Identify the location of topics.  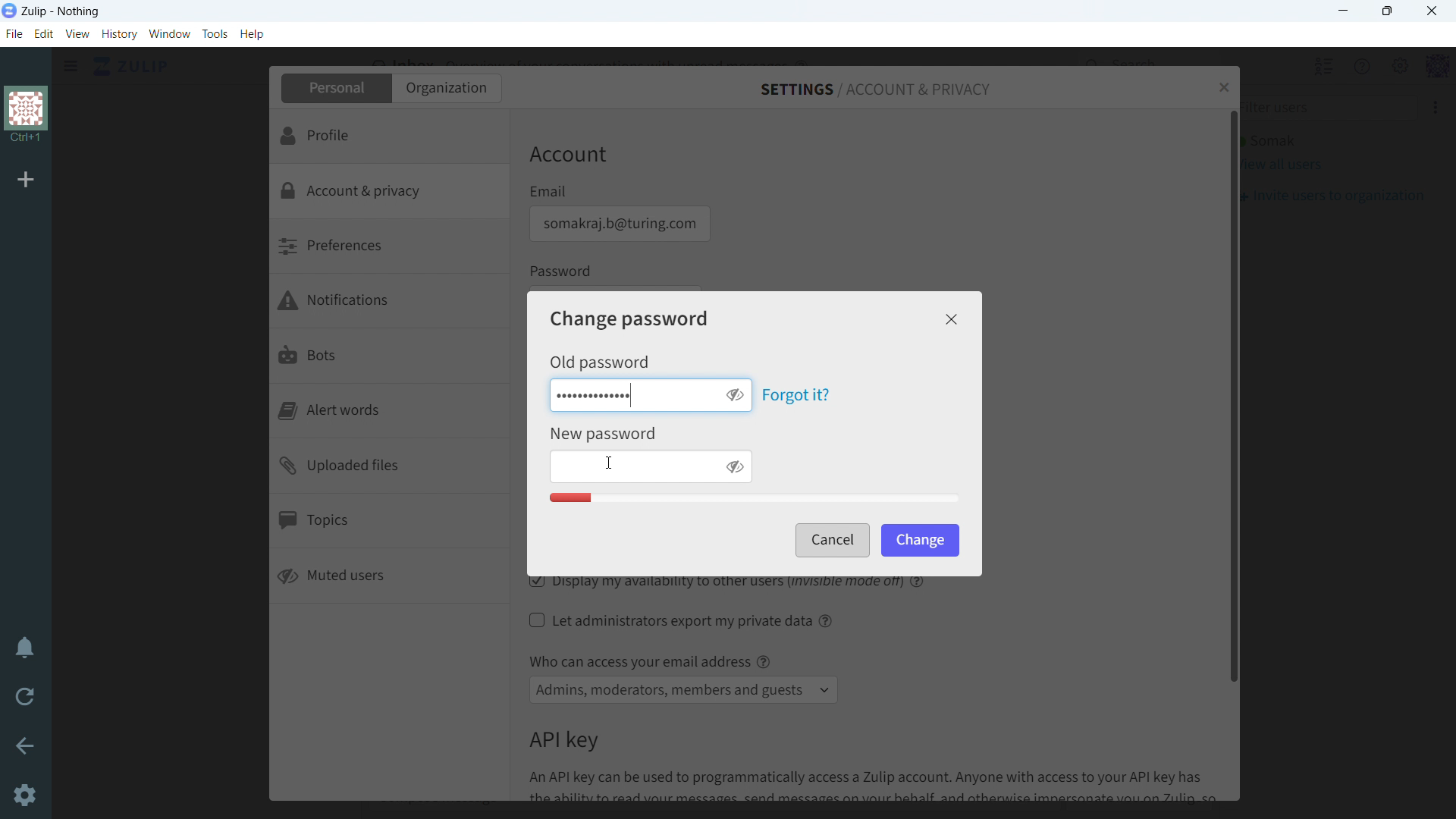
(390, 523).